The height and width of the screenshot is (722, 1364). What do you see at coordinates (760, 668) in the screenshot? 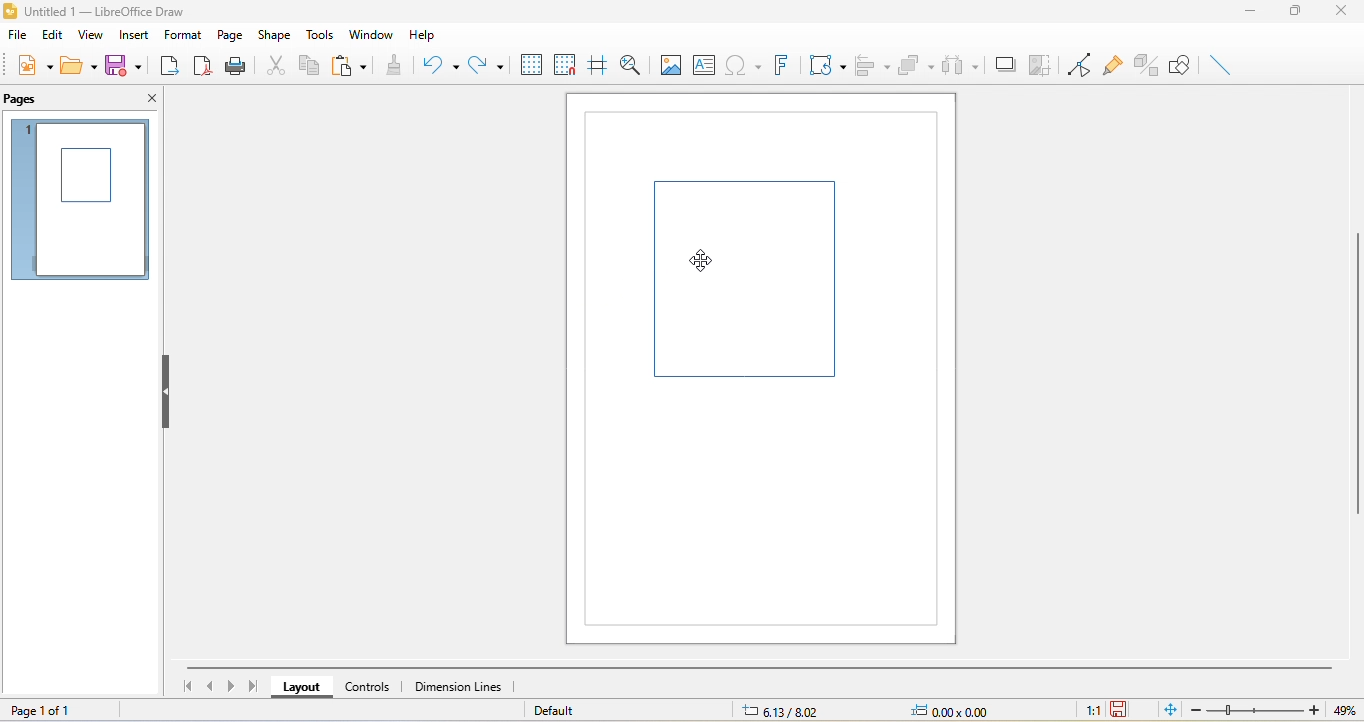
I see `horizontal scroll bar` at bounding box center [760, 668].